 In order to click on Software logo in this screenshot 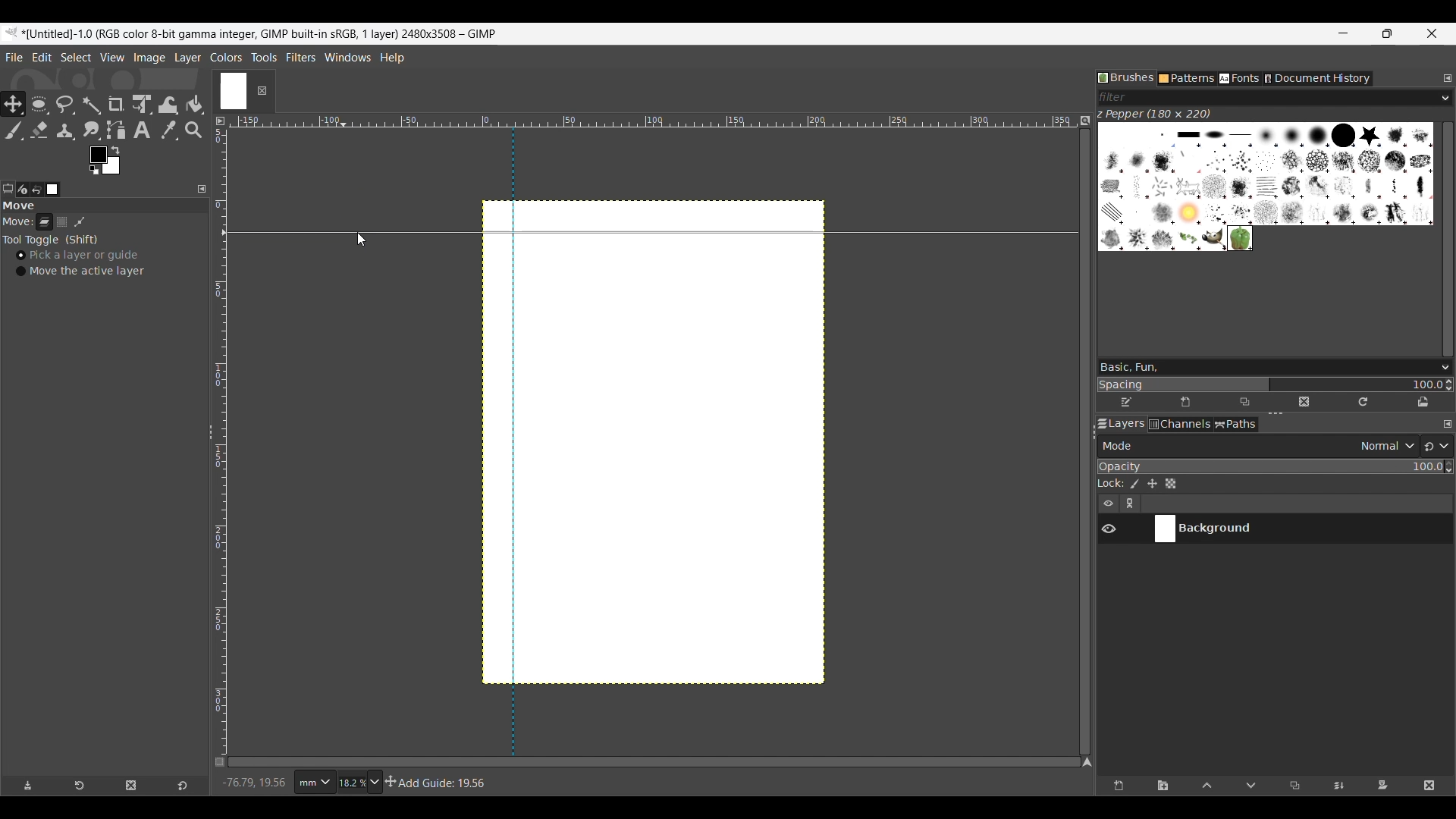, I will do `click(11, 33)`.